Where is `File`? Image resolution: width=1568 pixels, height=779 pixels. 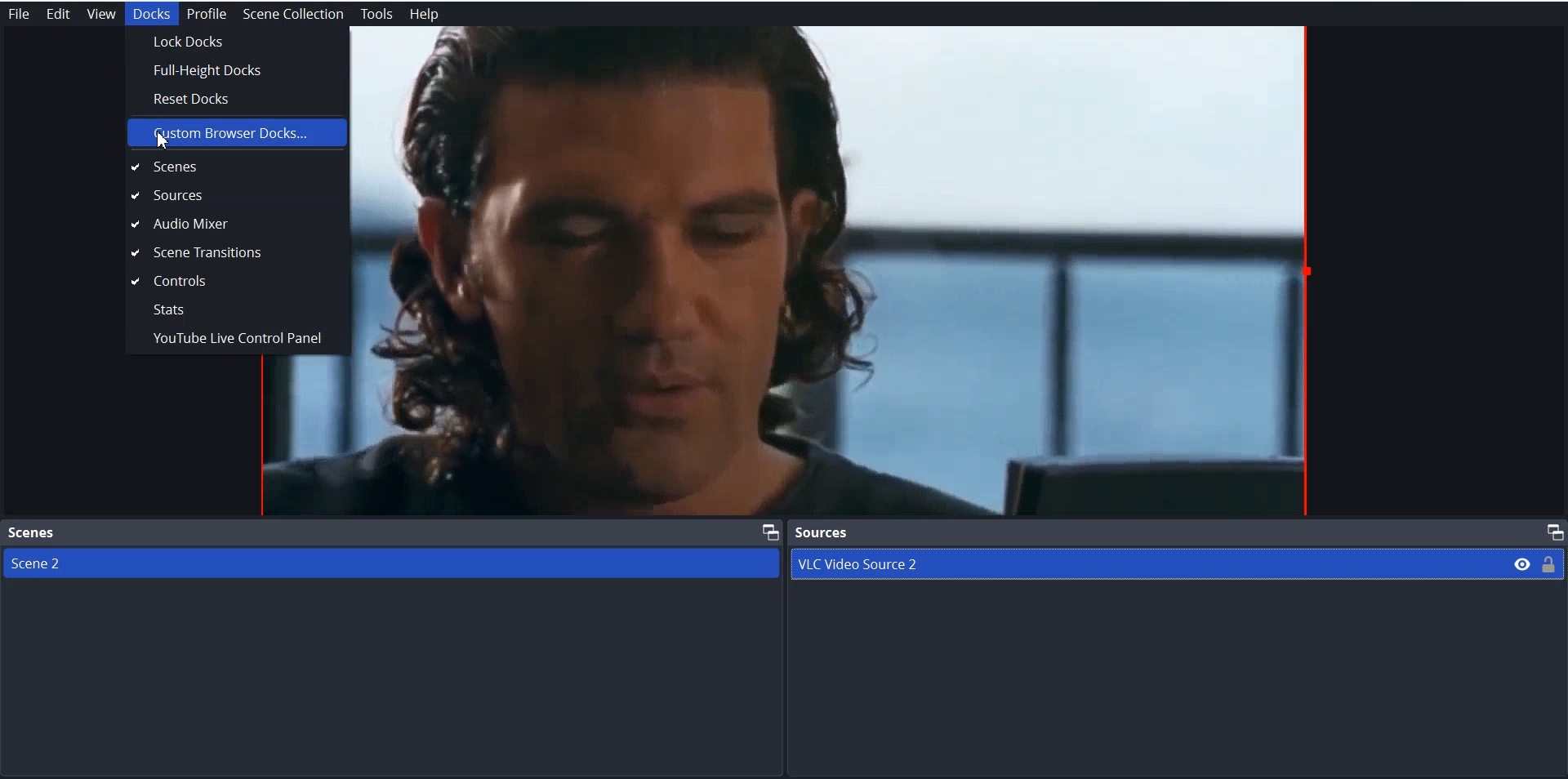
File is located at coordinates (18, 14).